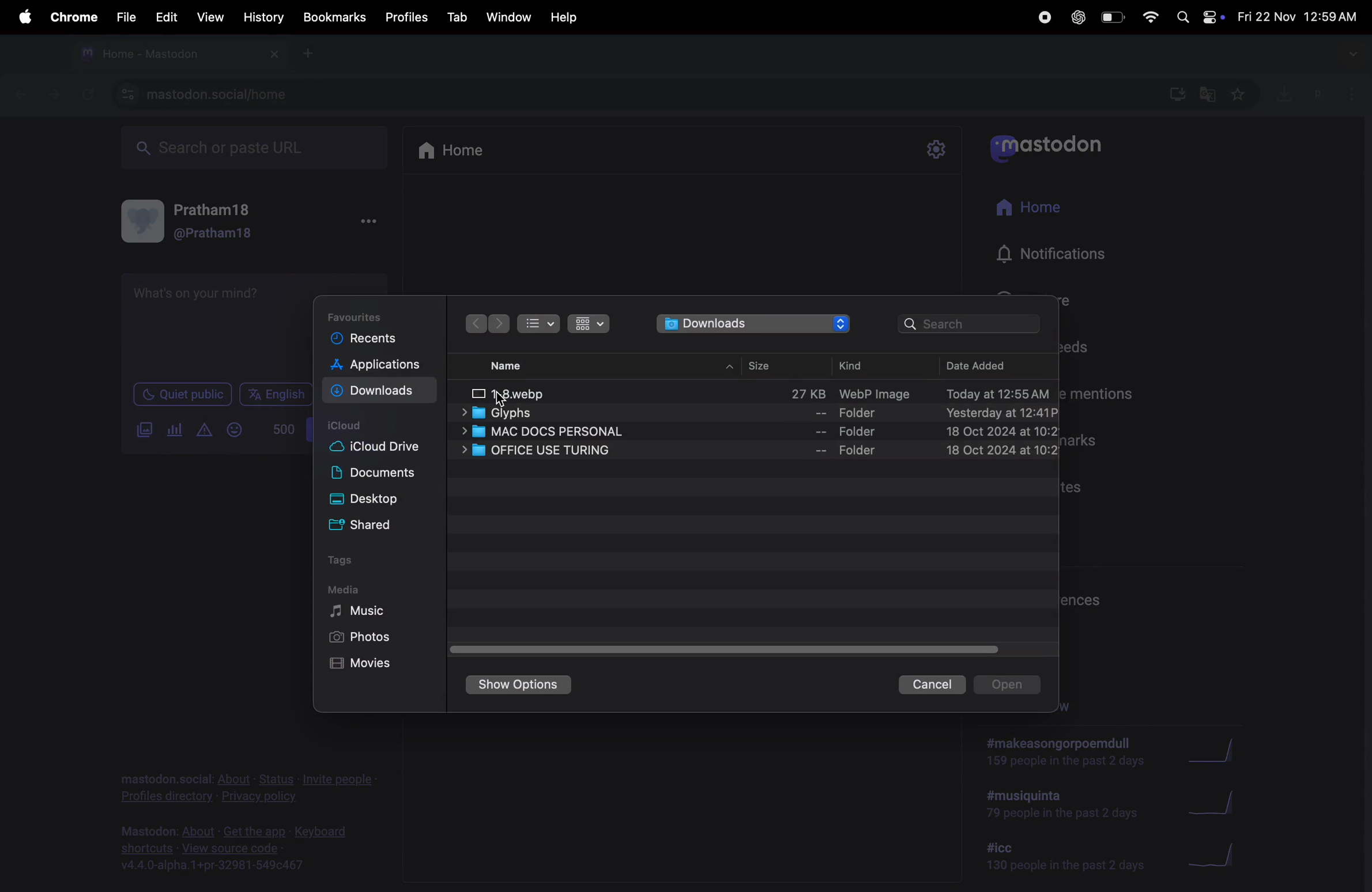  I want to click on downloads, so click(380, 392).